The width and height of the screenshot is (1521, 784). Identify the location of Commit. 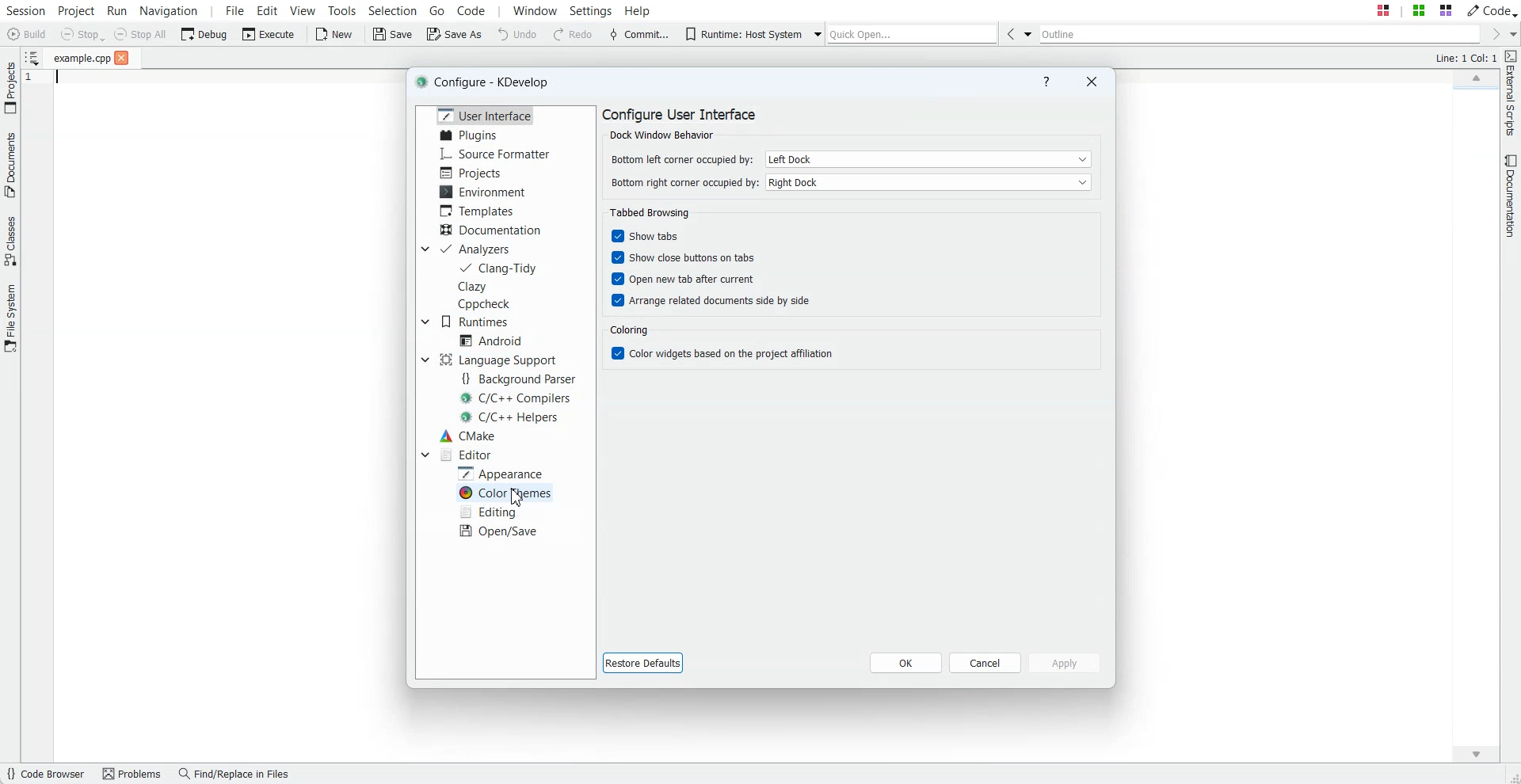
(638, 36).